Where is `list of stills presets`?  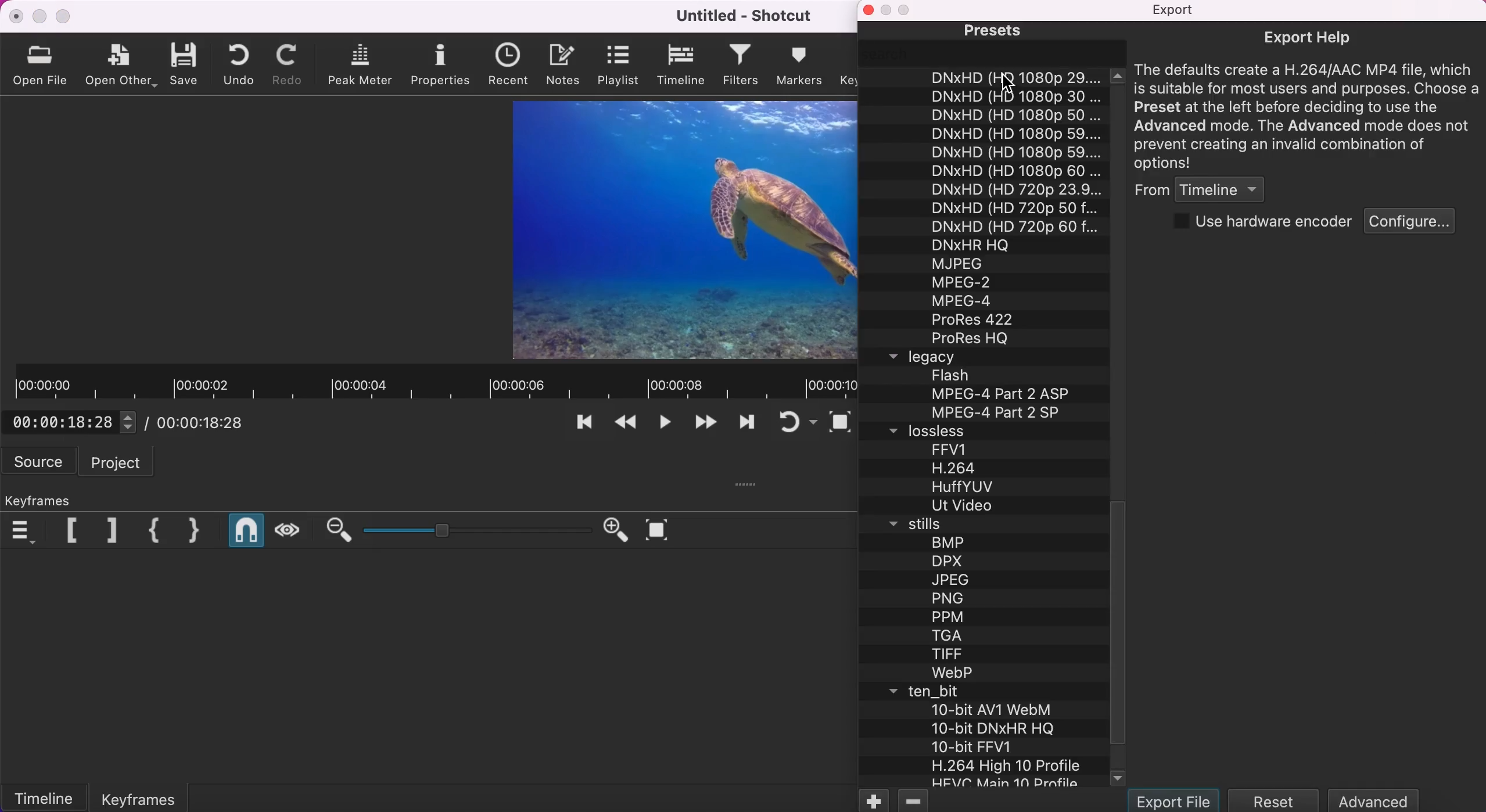
list of stills presets is located at coordinates (962, 607).